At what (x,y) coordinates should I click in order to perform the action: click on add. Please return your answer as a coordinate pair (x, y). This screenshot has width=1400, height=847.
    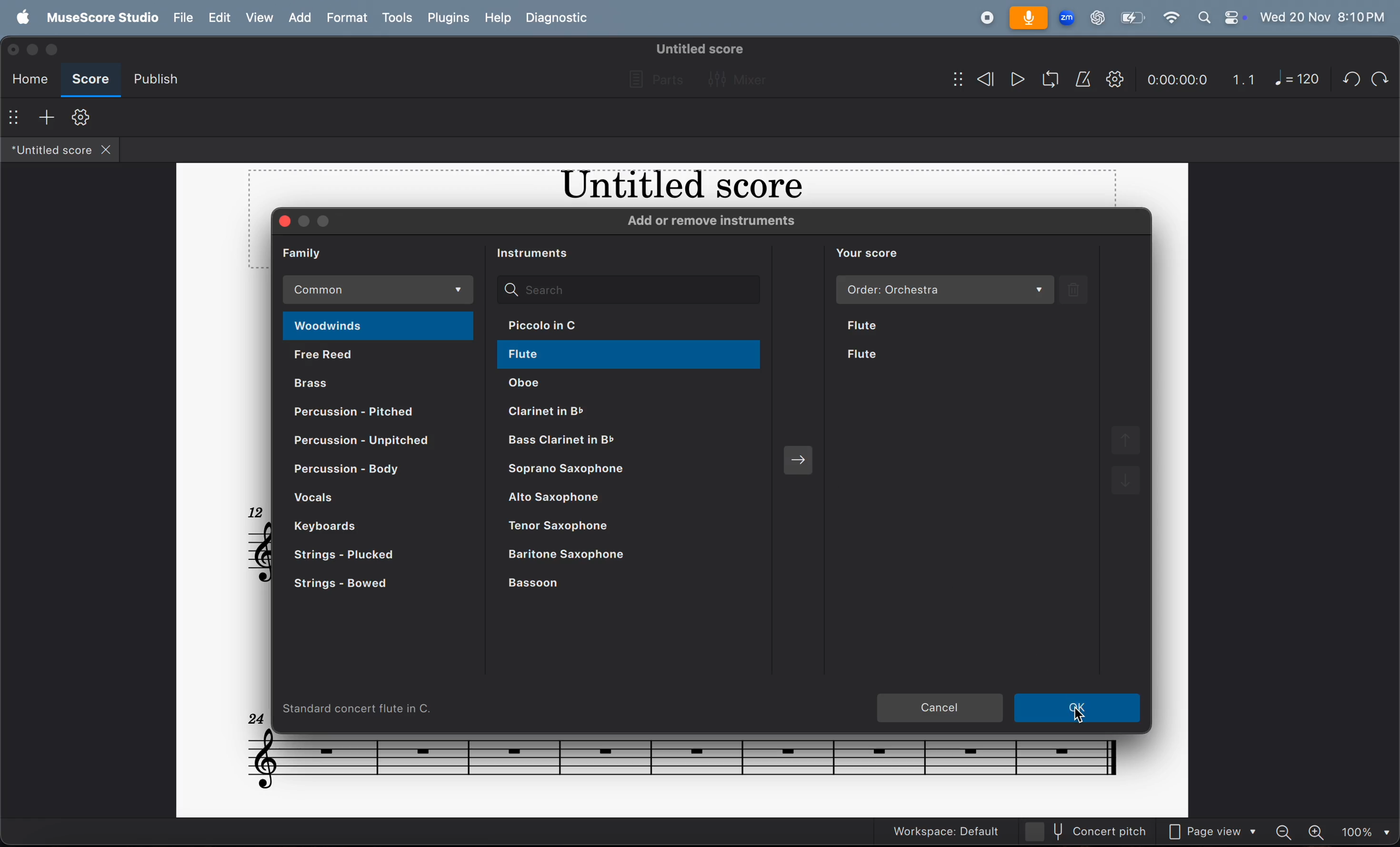
    Looking at the image, I should click on (48, 117).